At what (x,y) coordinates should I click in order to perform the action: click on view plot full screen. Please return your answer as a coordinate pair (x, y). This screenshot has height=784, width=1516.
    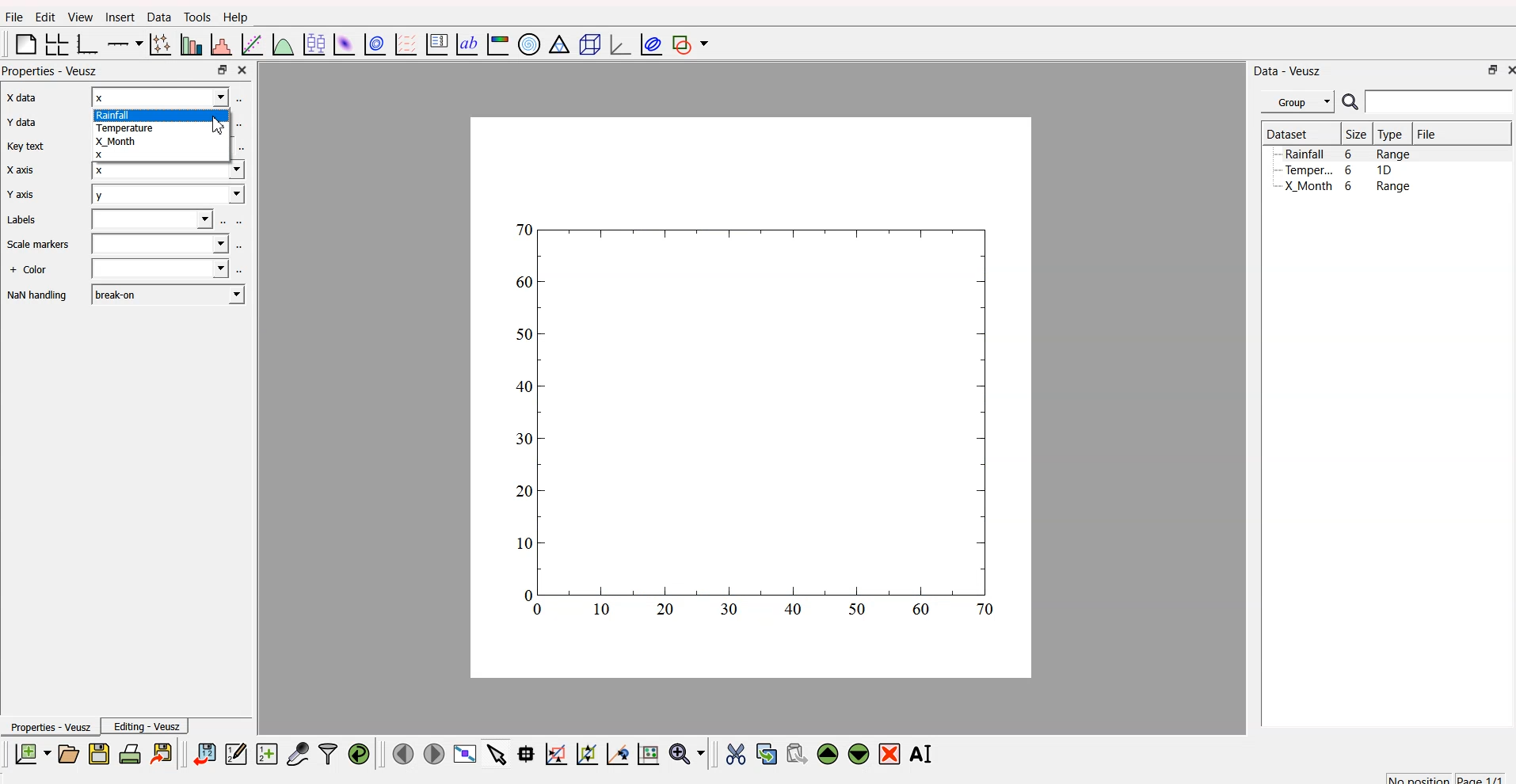
    Looking at the image, I should click on (465, 754).